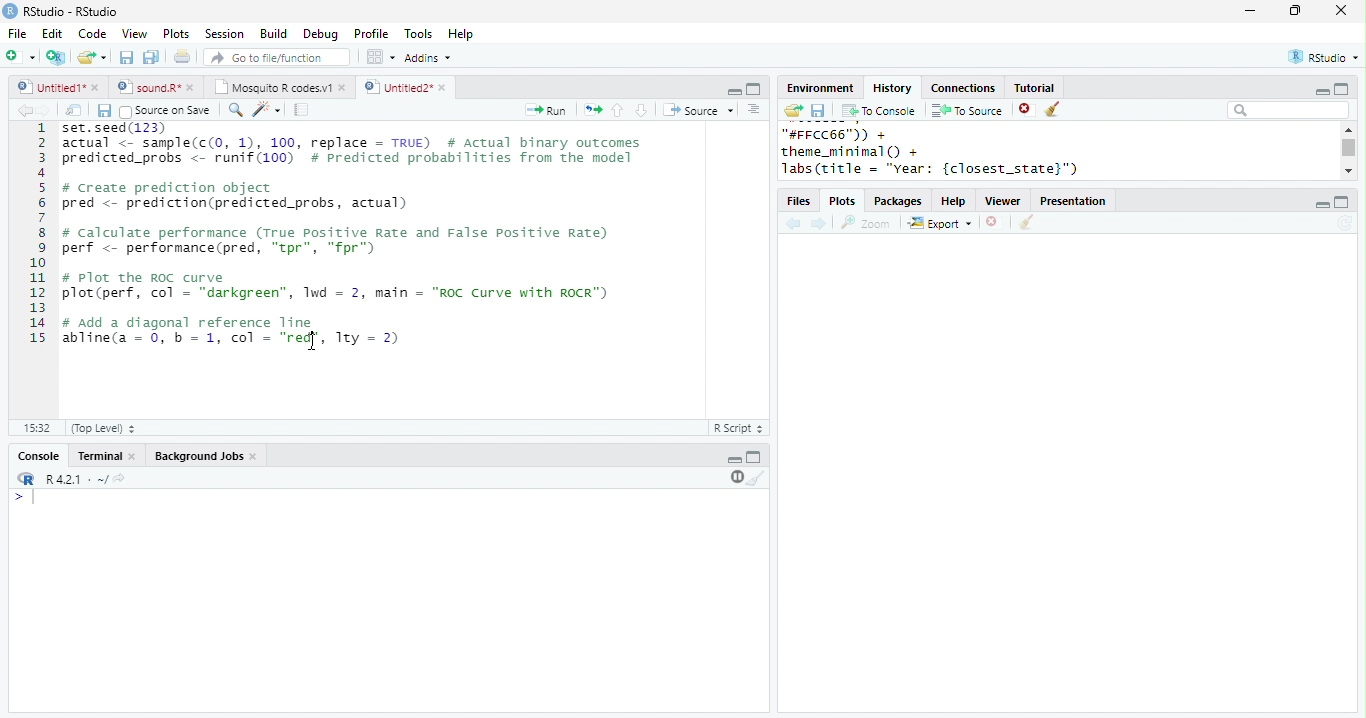 The image size is (1366, 718). What do you see at coordinates (126, 57) in the screenshot?
I see `save` at bounding box center [126, 57].